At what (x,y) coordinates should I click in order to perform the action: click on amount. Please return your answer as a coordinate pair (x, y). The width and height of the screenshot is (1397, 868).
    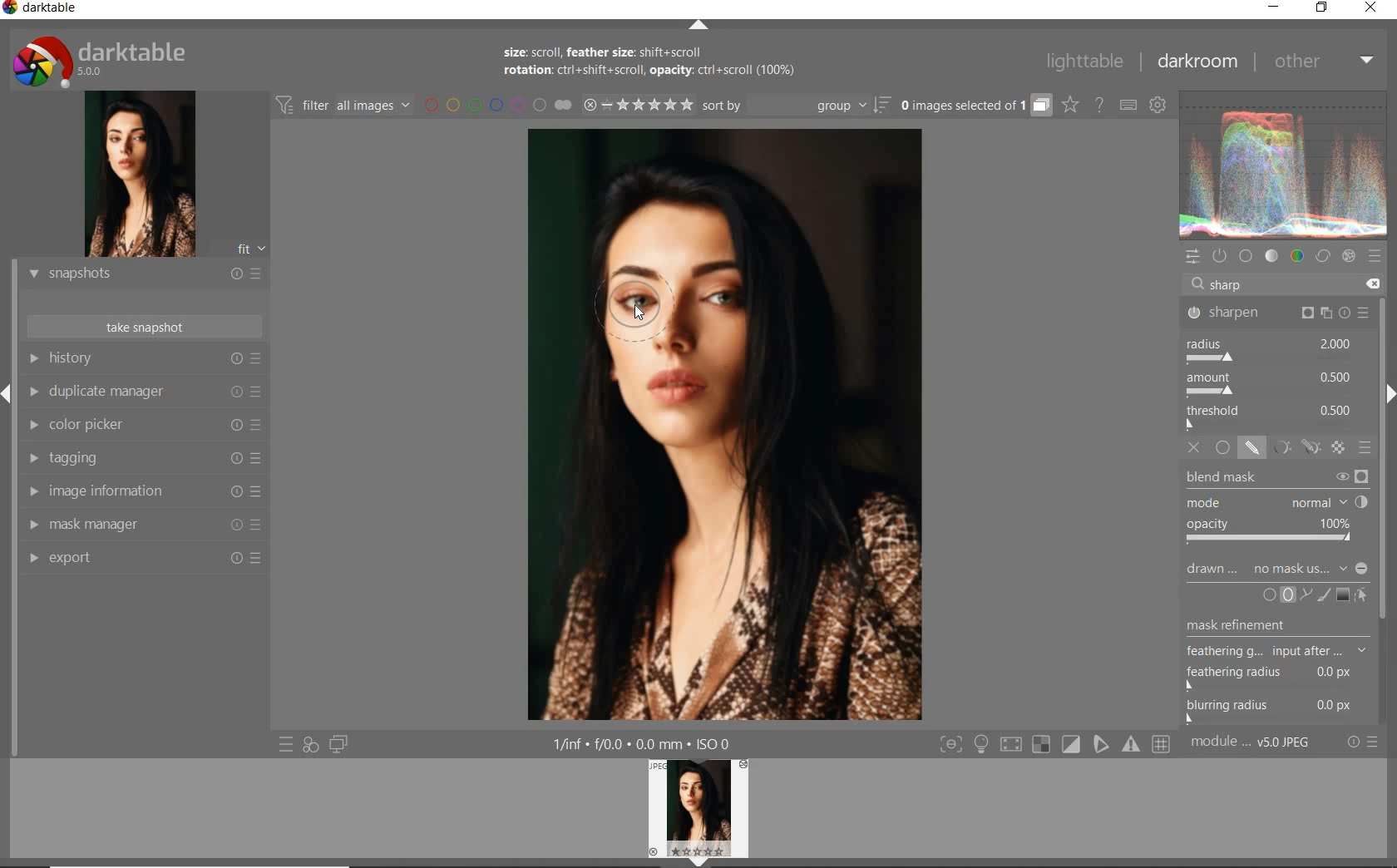
    Looking at the image, I should click on (1272, 383).